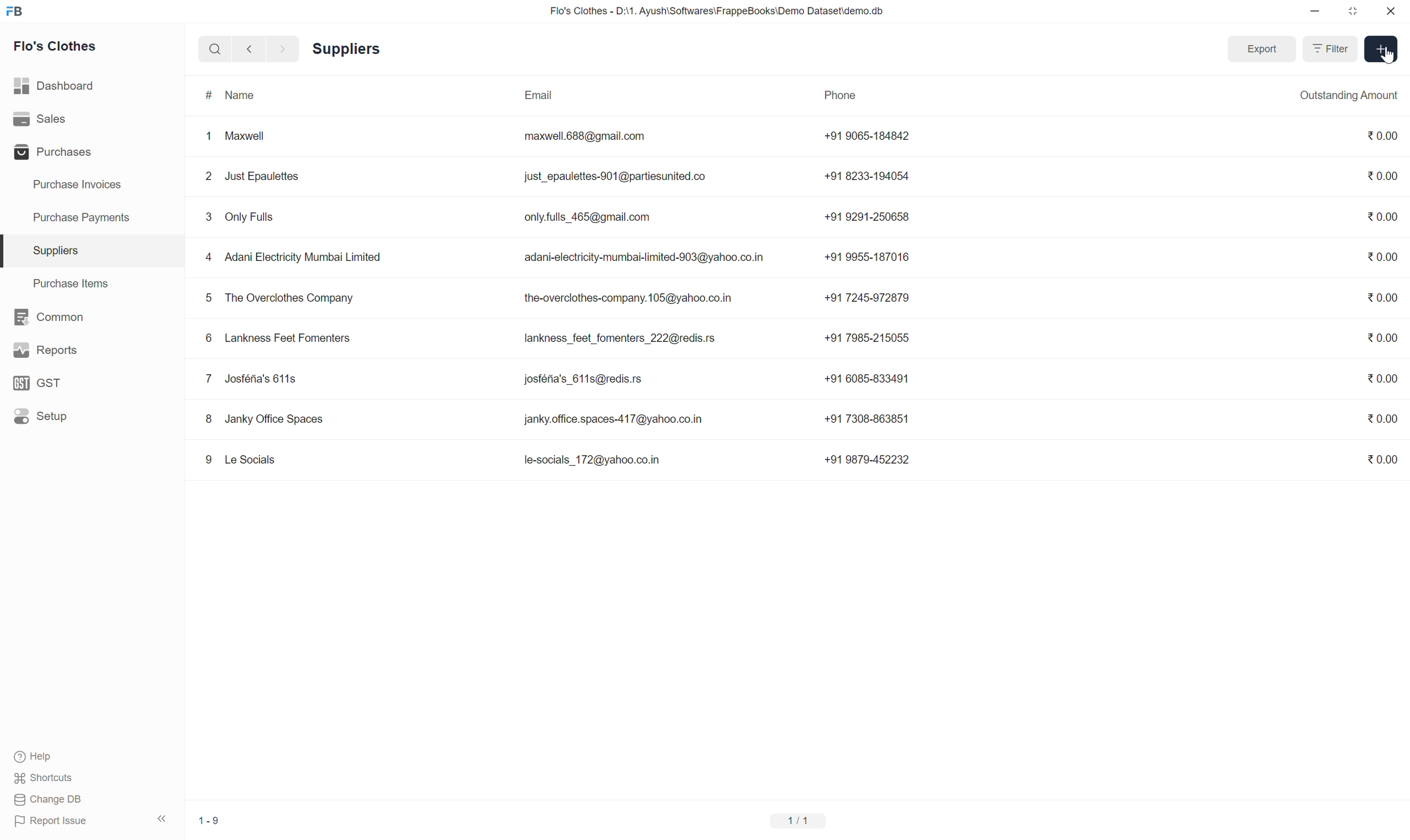 Image resolution: width=1410 pixels, height=840 pixels. What do you see at coordinates (621, 338) in the screenshot?
I see `lankness_feet_fomenters_222@redis.rs` at bounding box center [621, 338].